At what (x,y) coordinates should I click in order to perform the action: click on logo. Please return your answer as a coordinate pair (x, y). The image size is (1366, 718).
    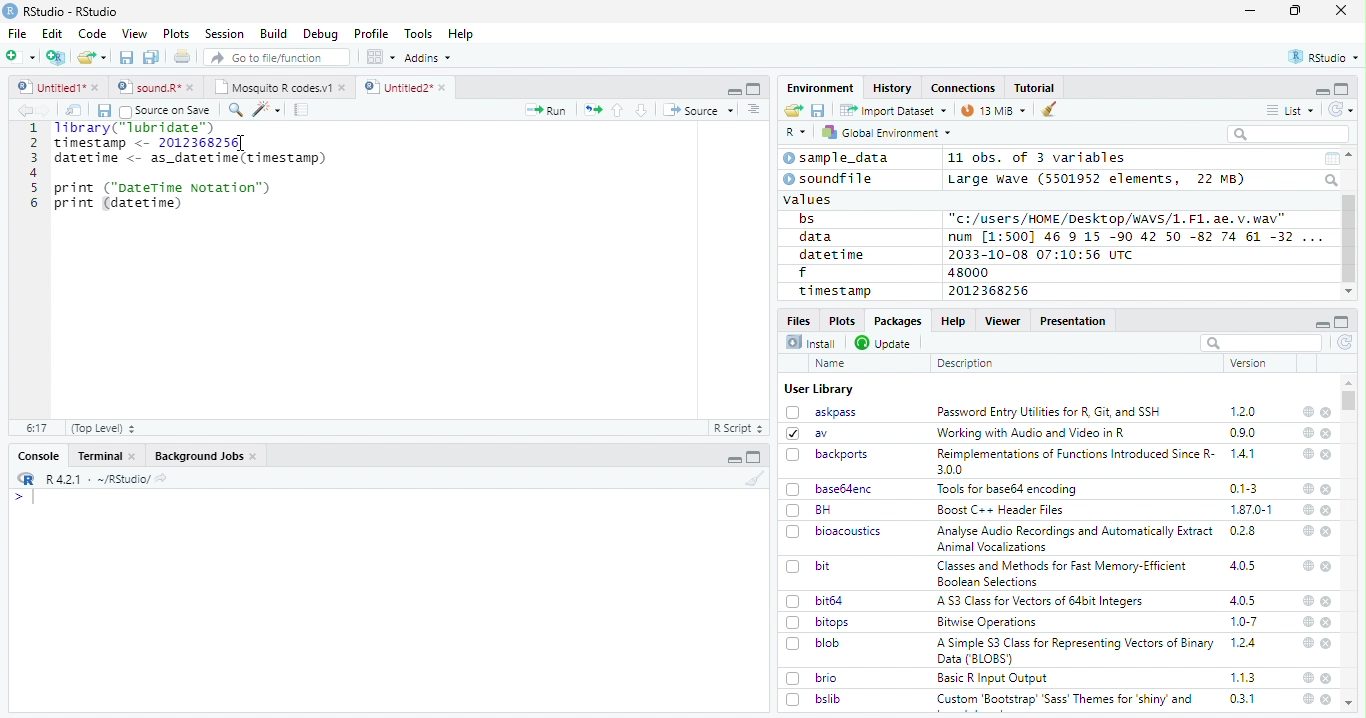
    Looking at the image, I should click on (10, 11).